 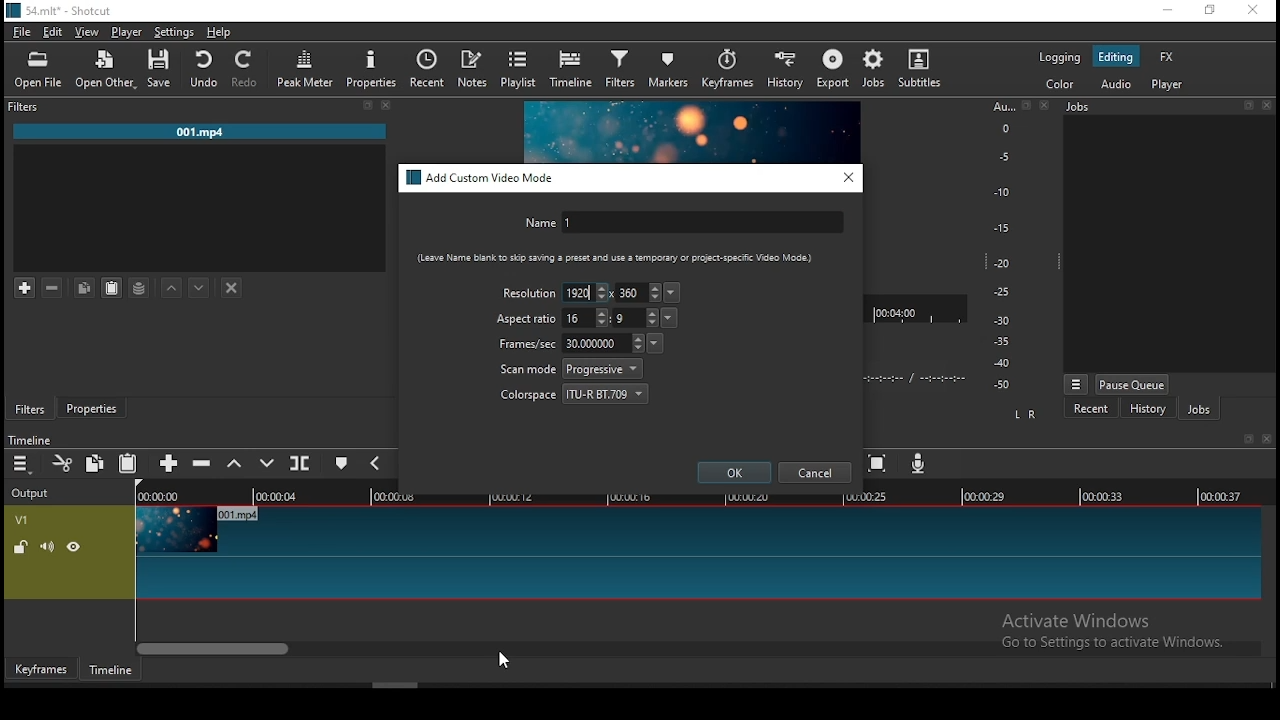 What do you see at coordinates (998, 342) in the screenshot?
I see `-35` at bounding box center [998, 342].